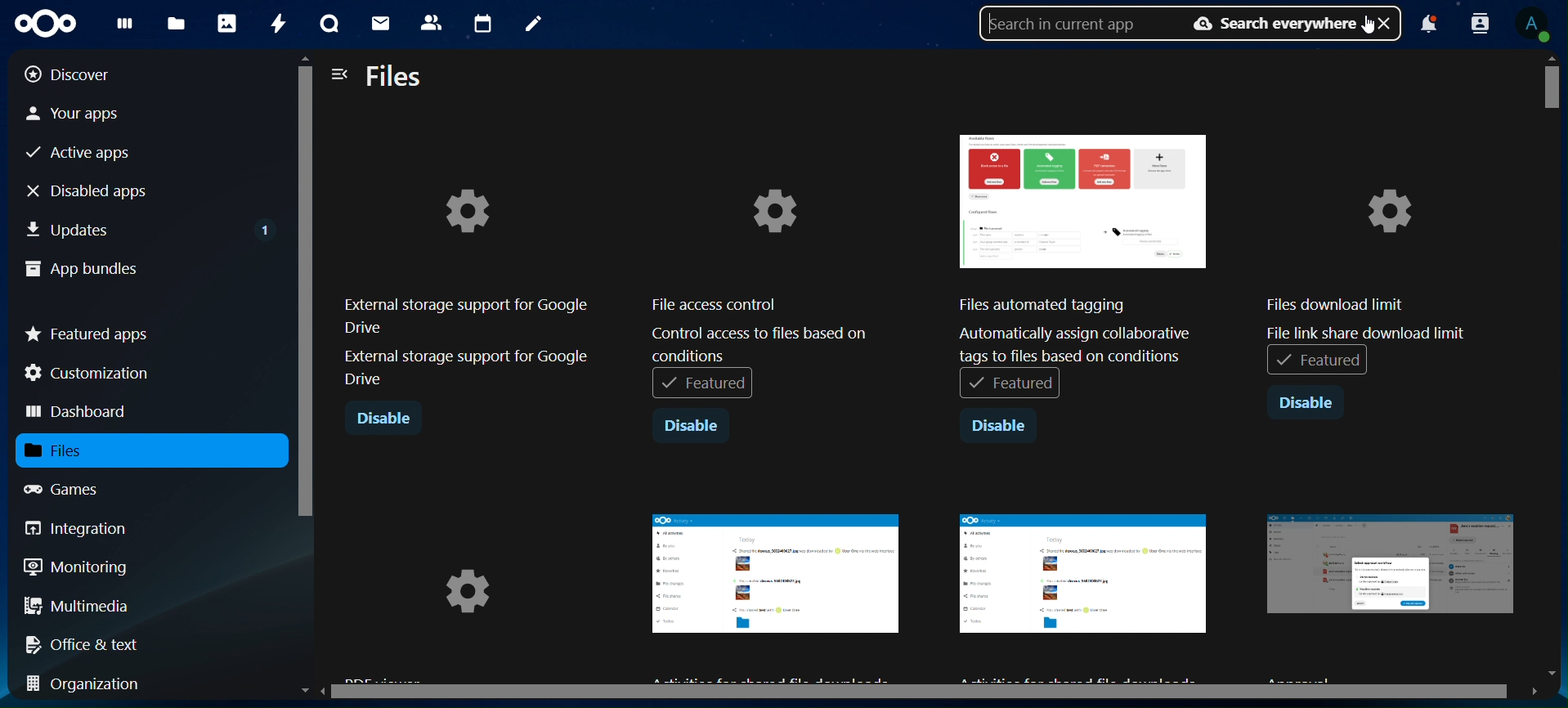  I want to click on organization, so click(90, 685).